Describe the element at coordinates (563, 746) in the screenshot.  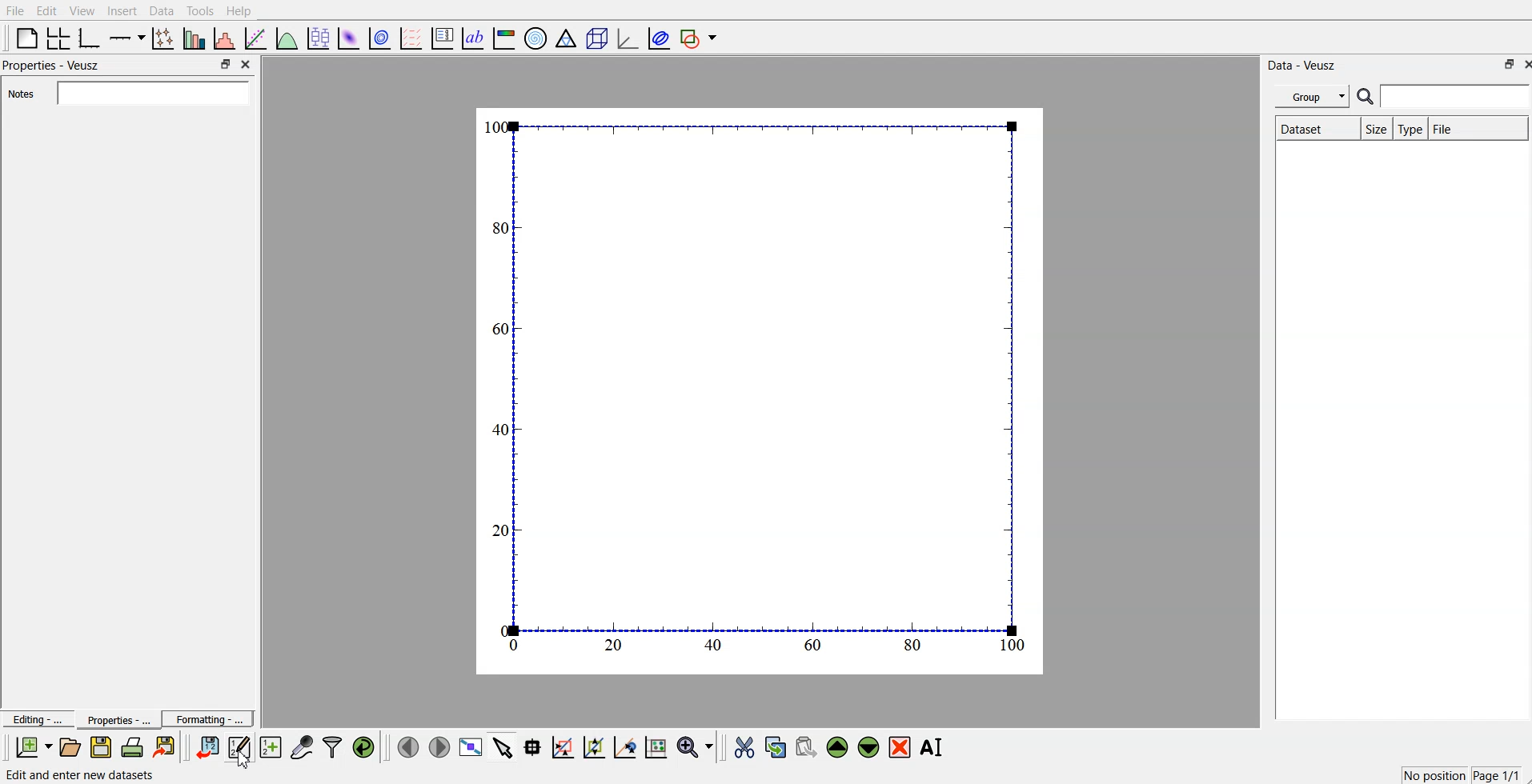
I see `click to draw rectangle` at that location.